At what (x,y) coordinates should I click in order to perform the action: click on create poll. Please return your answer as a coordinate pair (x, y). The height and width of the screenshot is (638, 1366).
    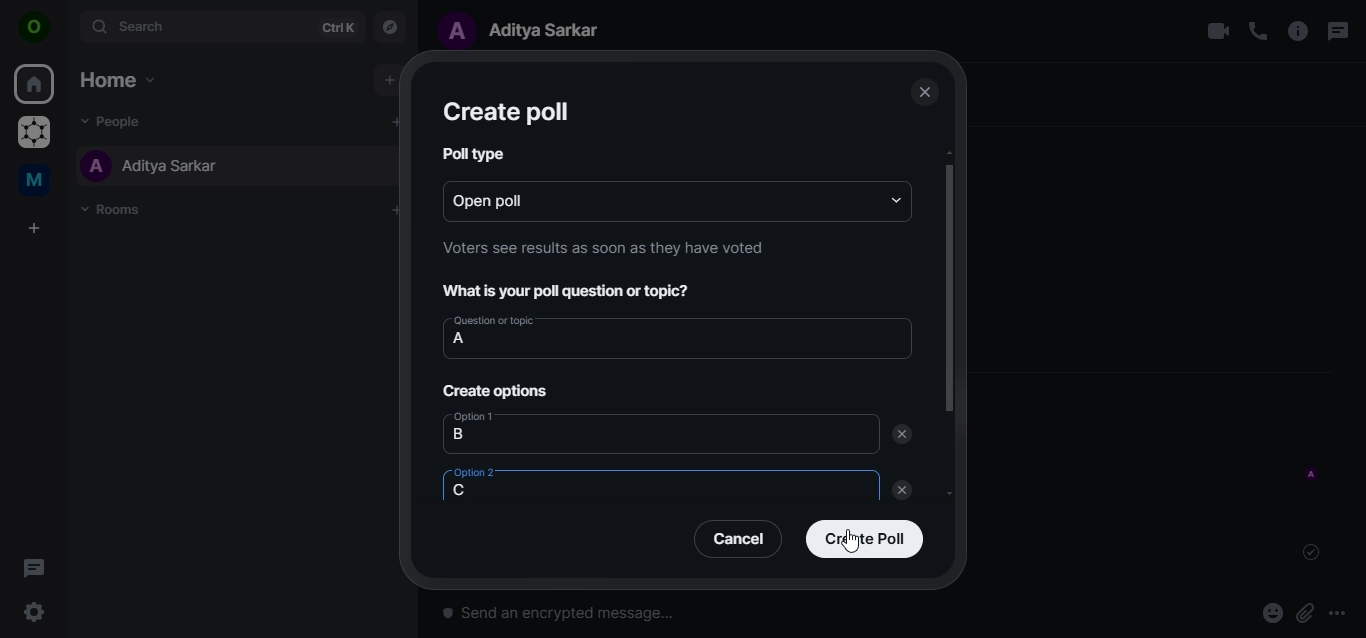
    Looking at the image, I should click on (864, 537).